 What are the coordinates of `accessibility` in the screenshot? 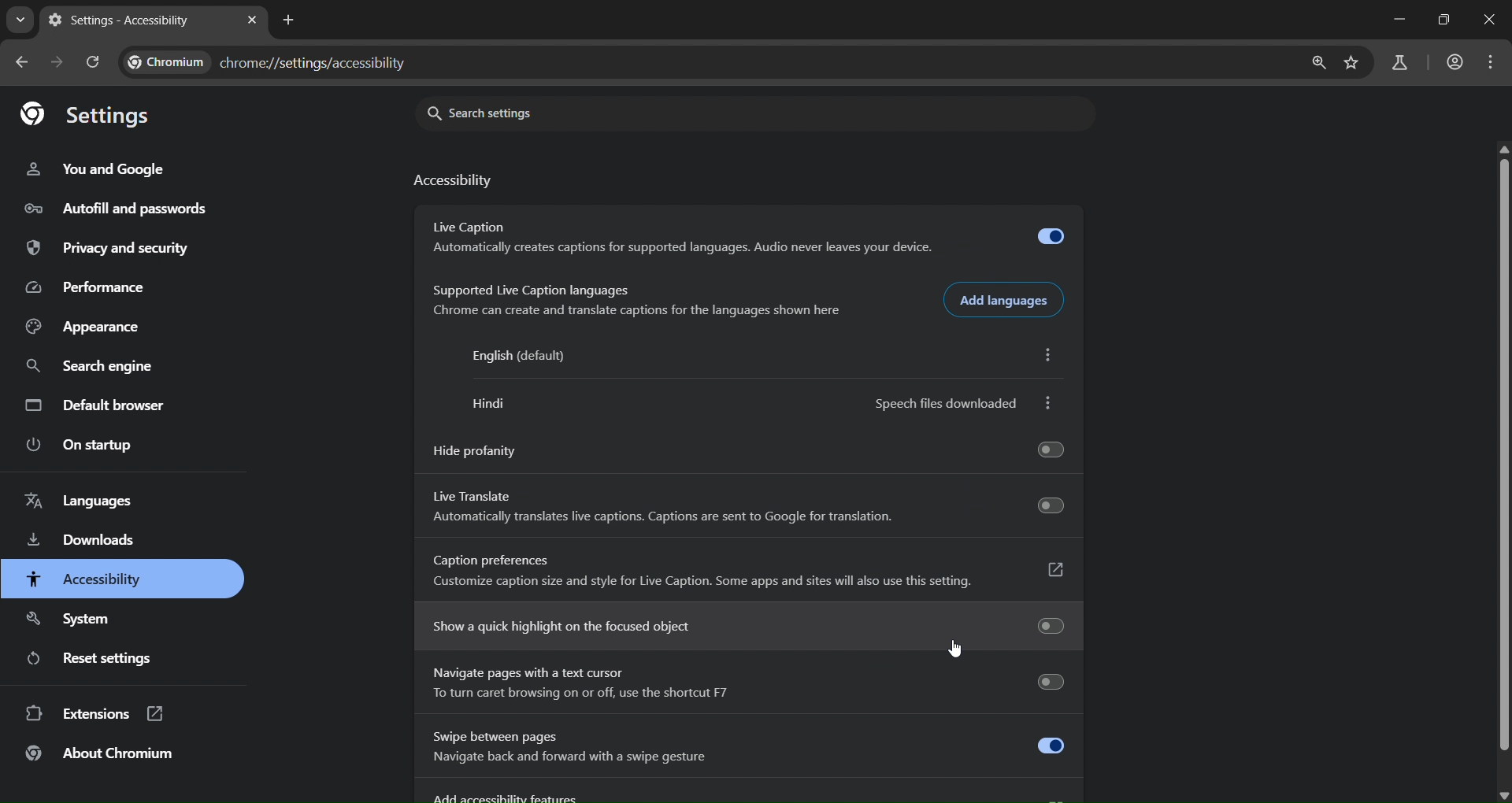 It's located at (459, 183).